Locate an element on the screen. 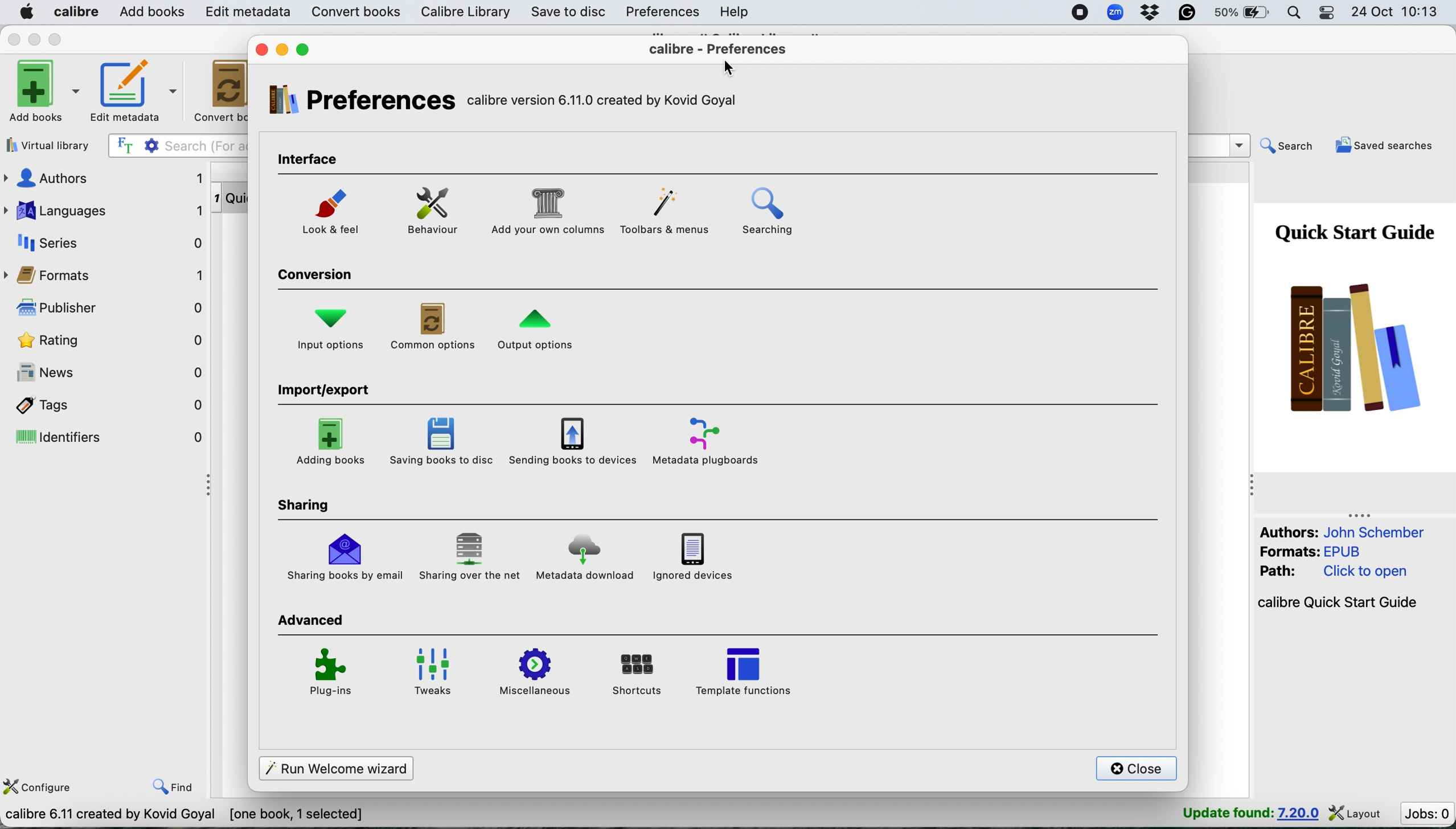  metadata download is located at coordinates (586, 559).